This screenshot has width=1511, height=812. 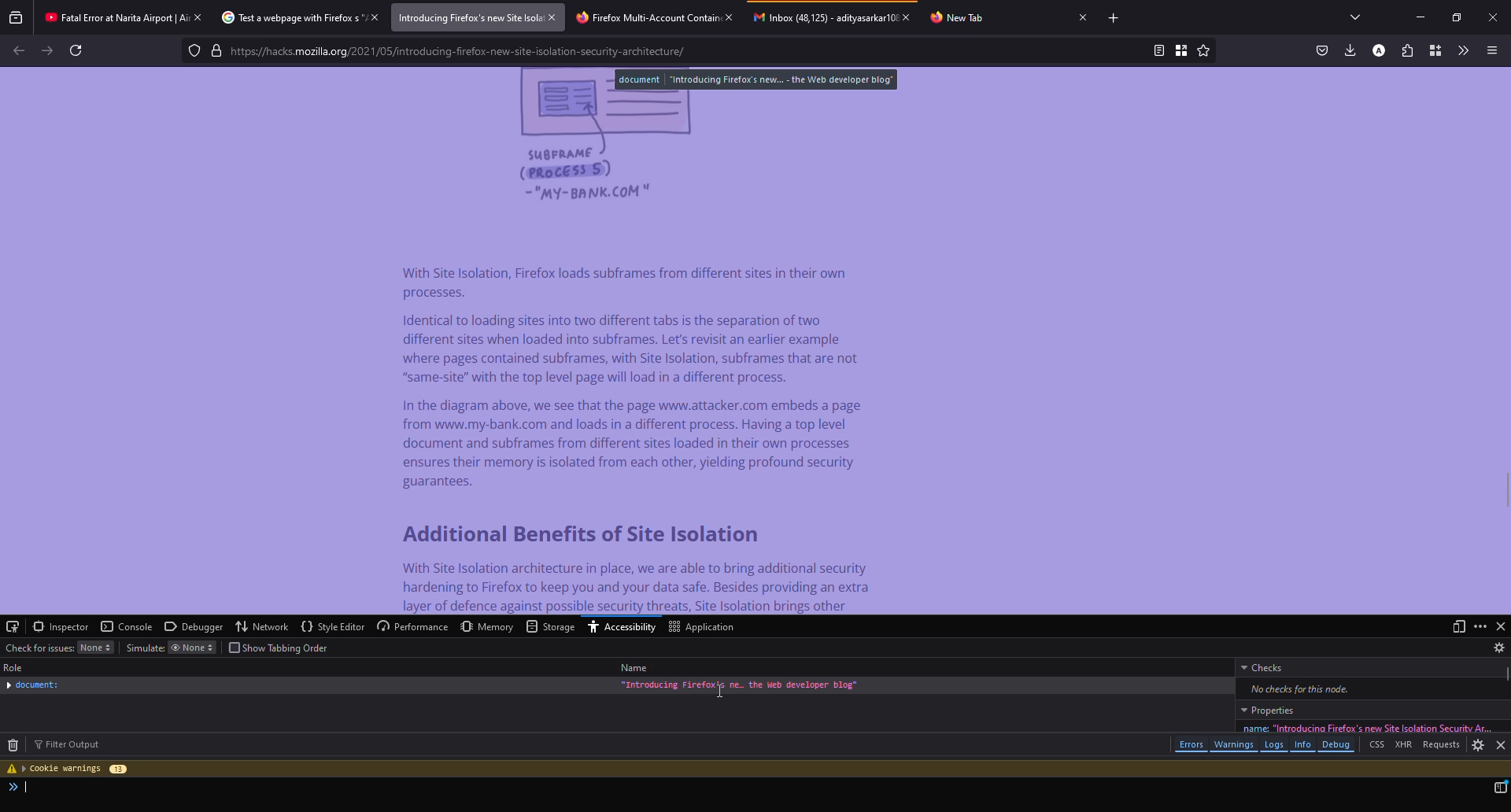 I want to click on check, so click(x=1263, y=667).